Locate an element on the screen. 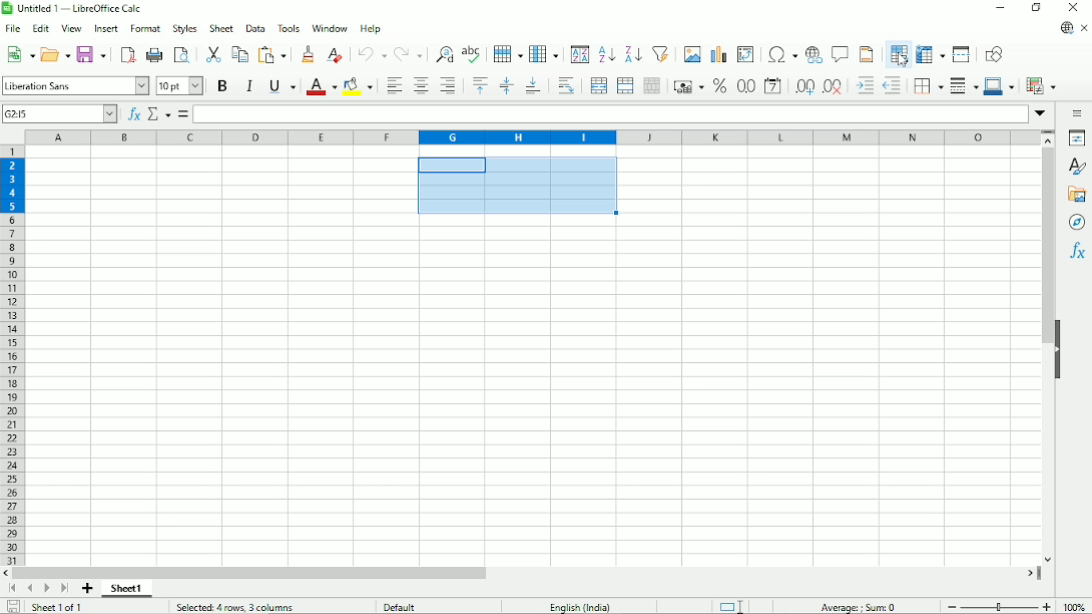 The image size is (1092, 614). Align right is located at coordinates (448, 87).